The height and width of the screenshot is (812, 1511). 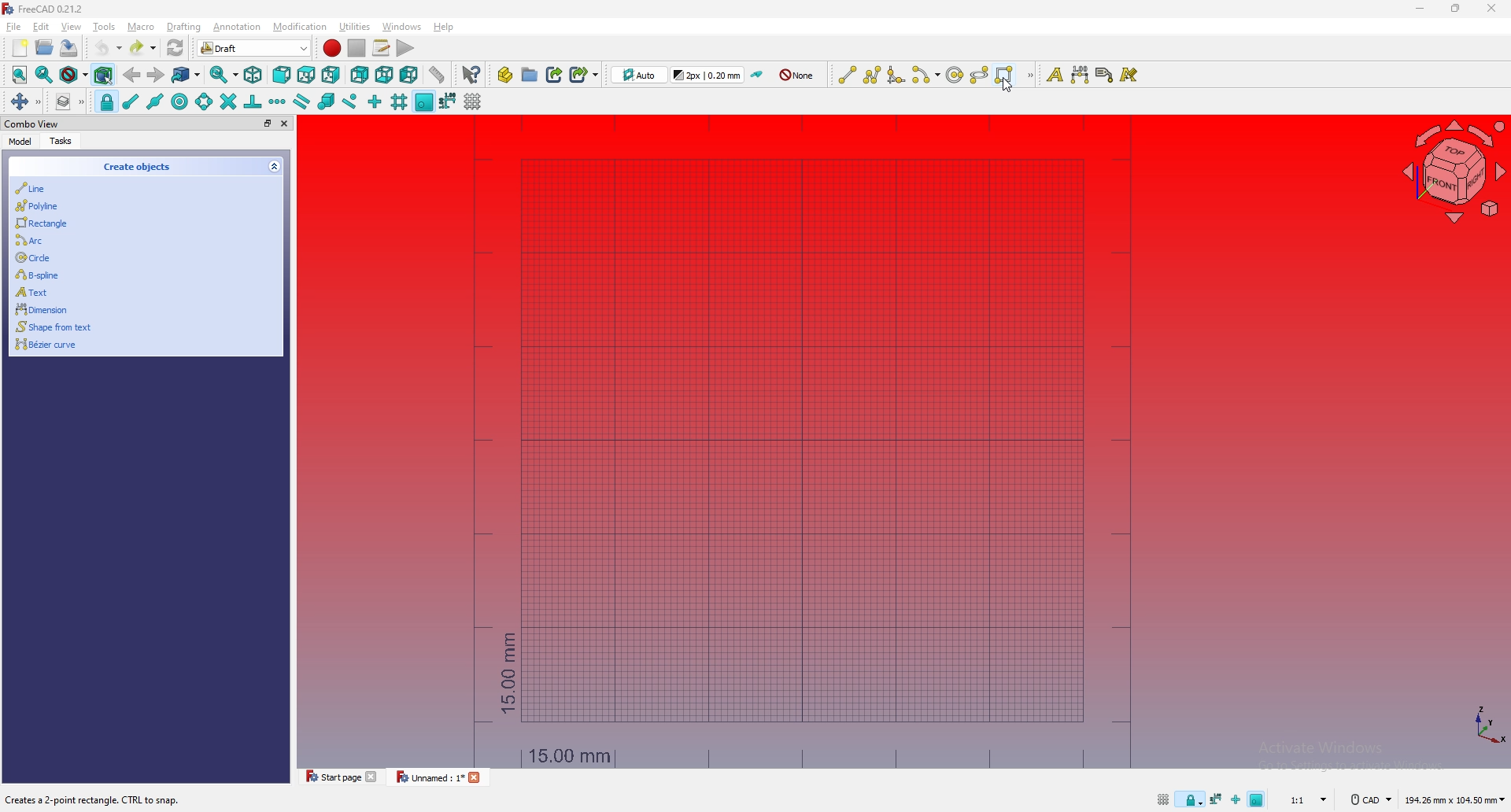 What do you see at coordinates (758, 75) in the screenshot?
I see `toggle construction mode` at bounding box center [758, 75].